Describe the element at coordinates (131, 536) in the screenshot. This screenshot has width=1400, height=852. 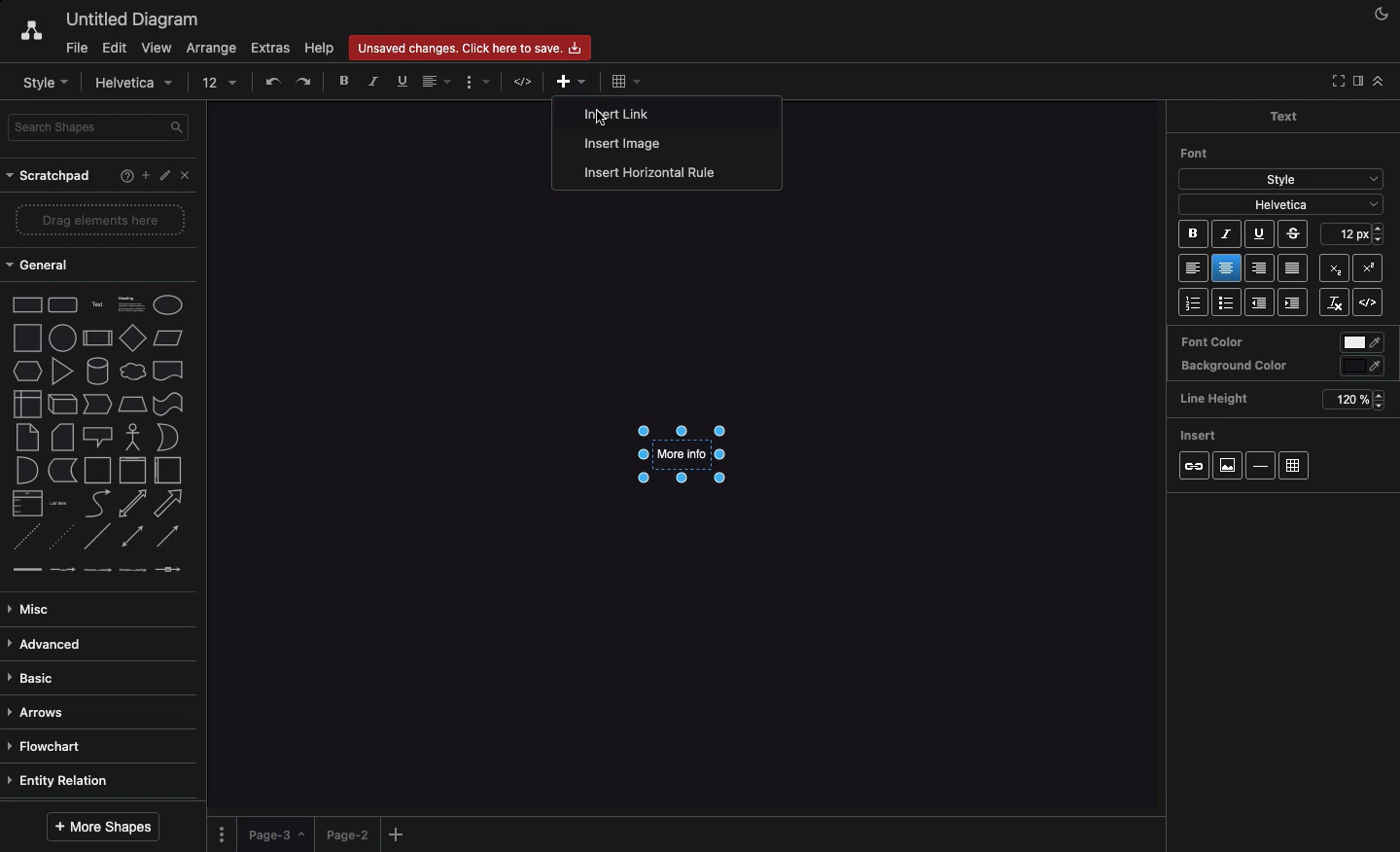
I see `bidirectional connector ` at that location.